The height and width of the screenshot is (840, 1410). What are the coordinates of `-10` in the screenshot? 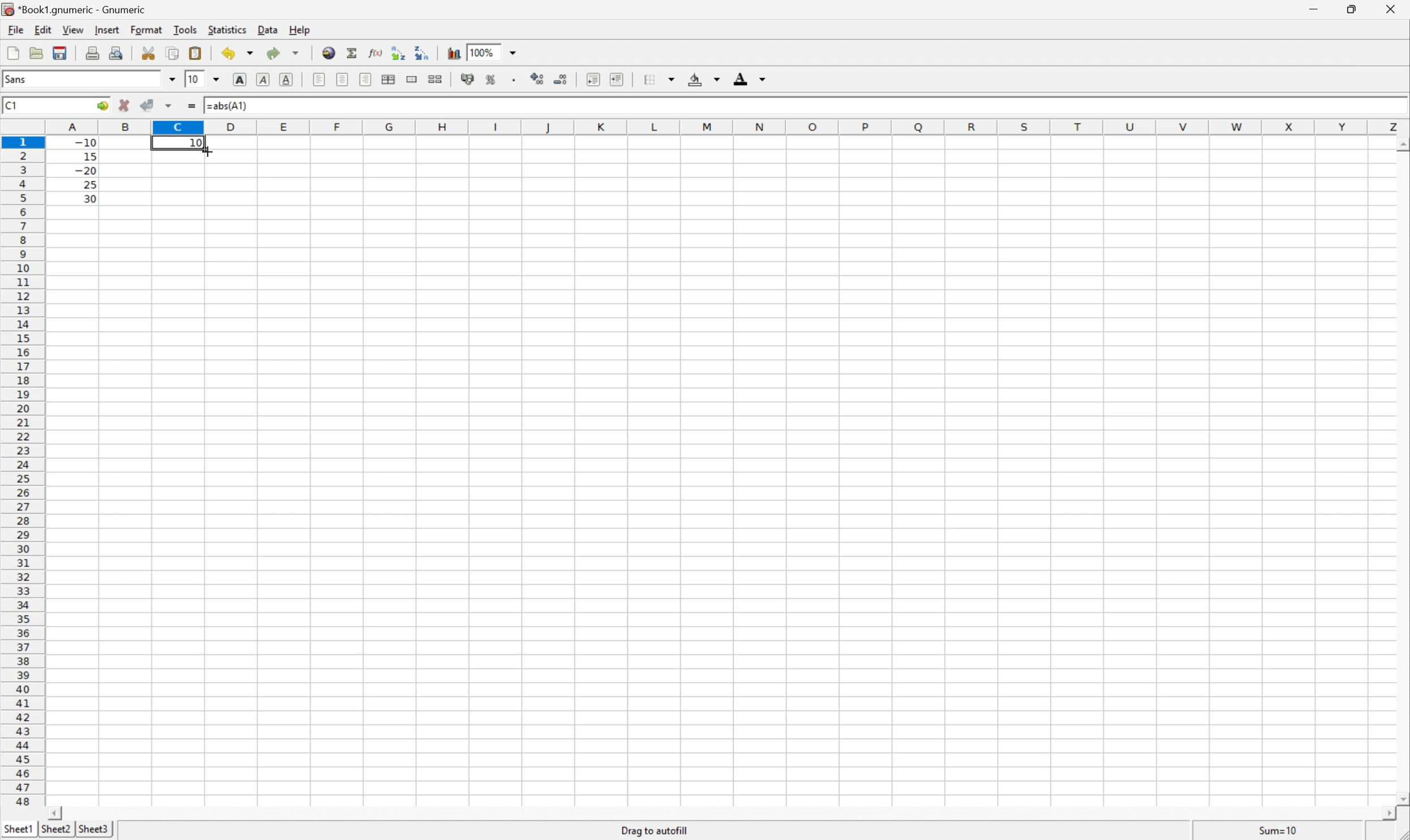 It's located at (86, 141).